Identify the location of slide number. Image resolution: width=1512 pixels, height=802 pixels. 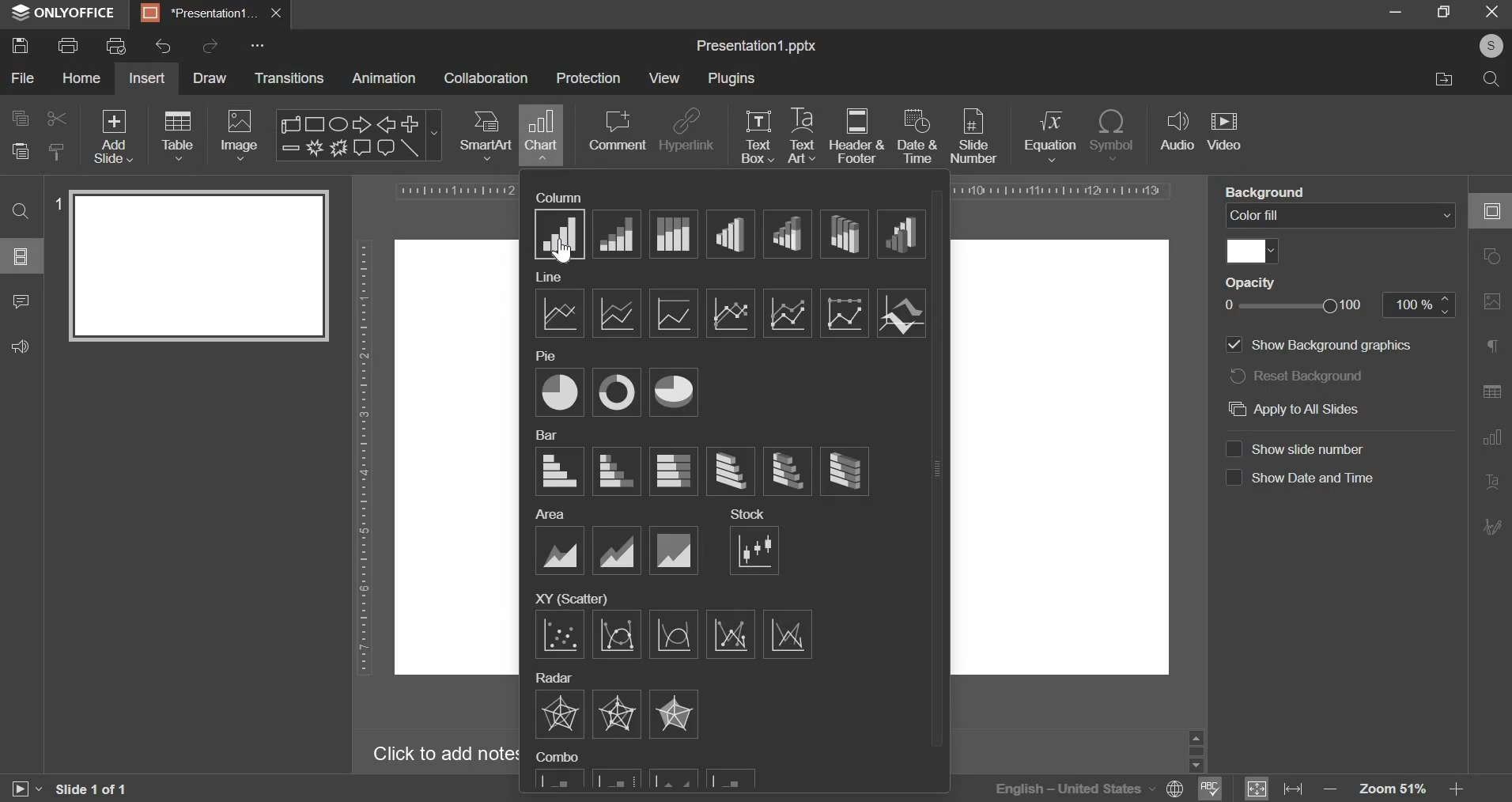
(60, 202).